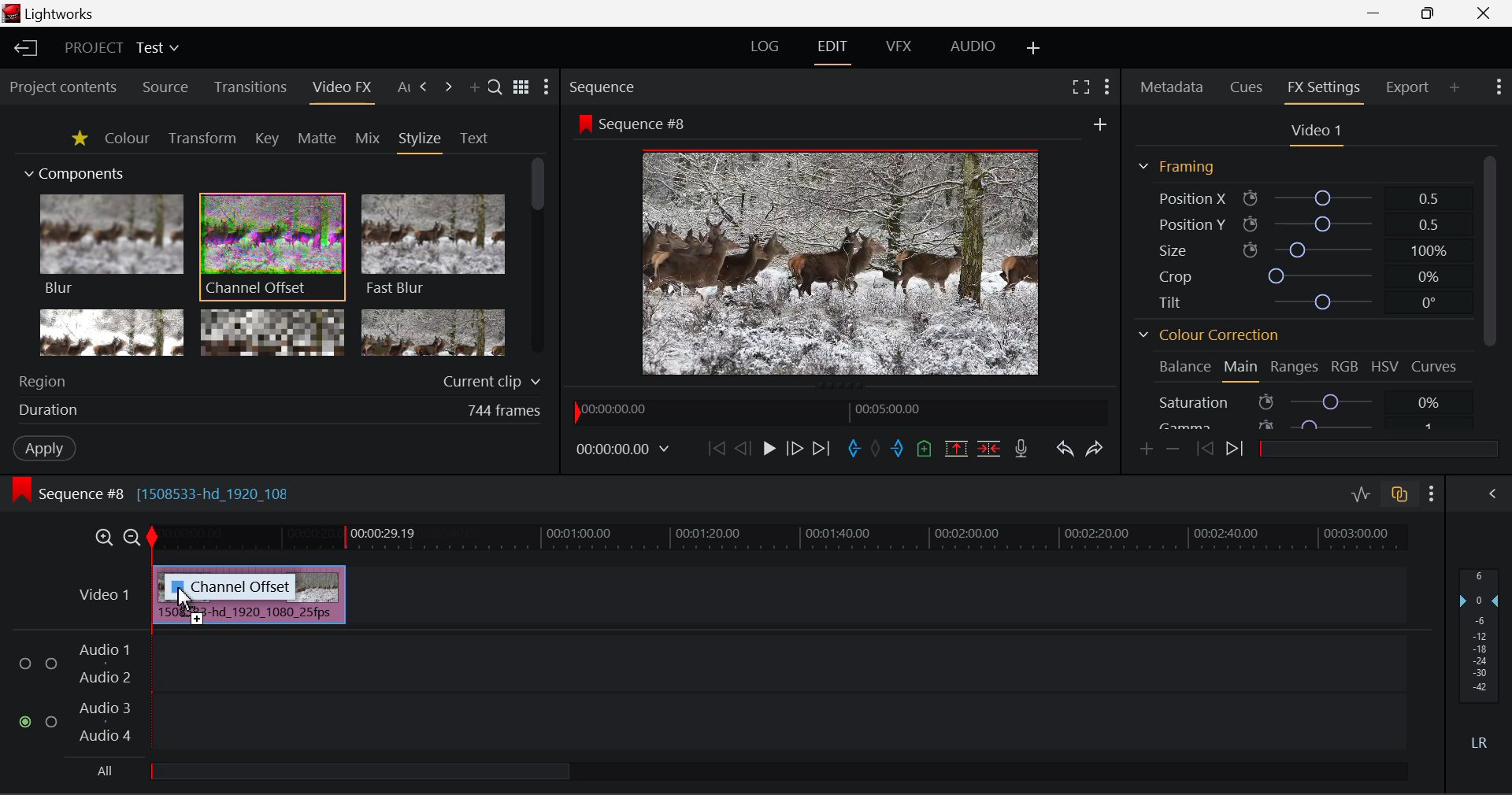 The image size is (1512, 795). I want to click on all, so click(259, 771).